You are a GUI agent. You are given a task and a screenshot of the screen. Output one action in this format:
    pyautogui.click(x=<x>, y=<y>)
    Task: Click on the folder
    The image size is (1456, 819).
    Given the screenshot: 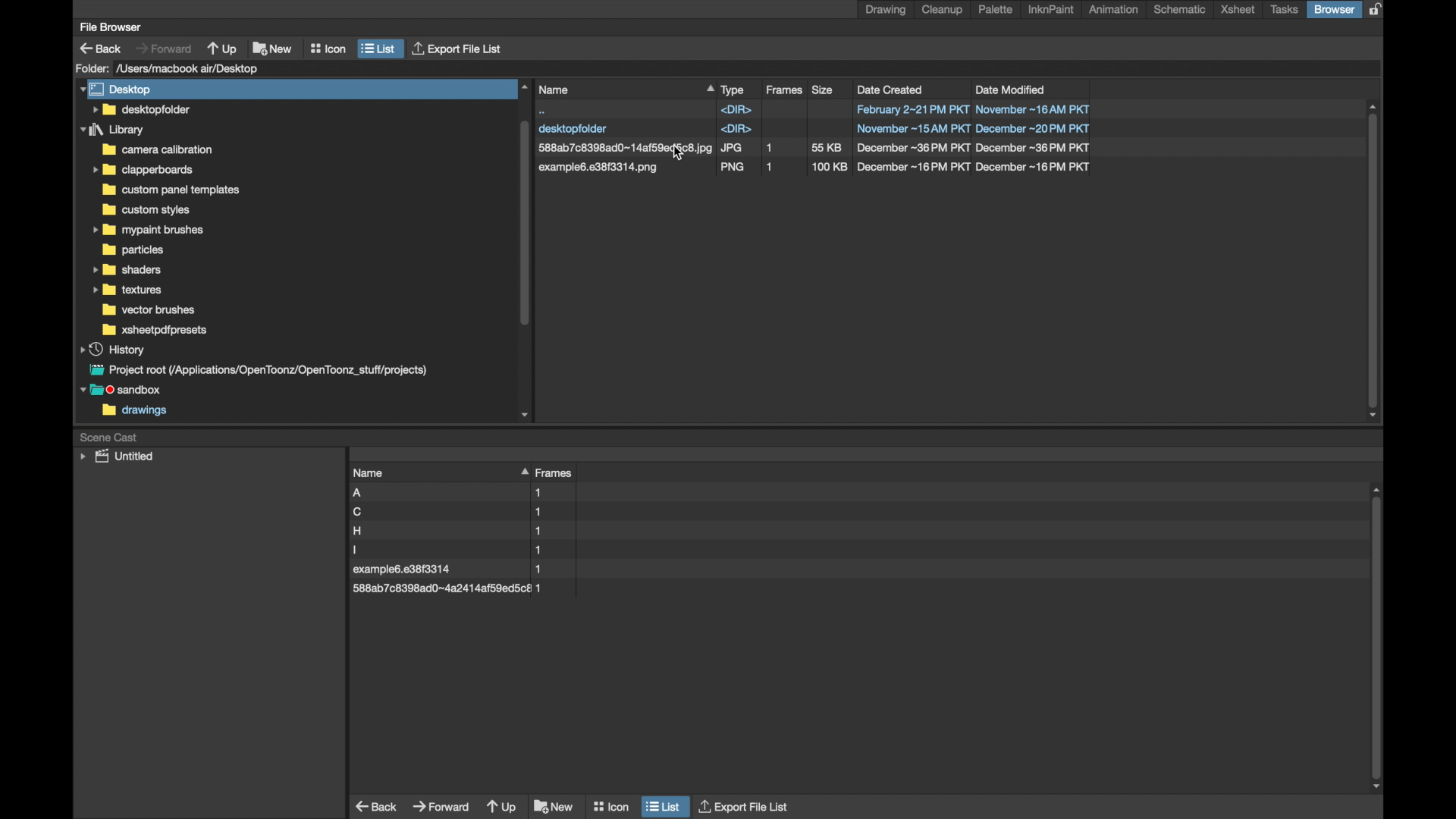 What is the action you would take?
    pyautogui.click(x=92, y=68)
    